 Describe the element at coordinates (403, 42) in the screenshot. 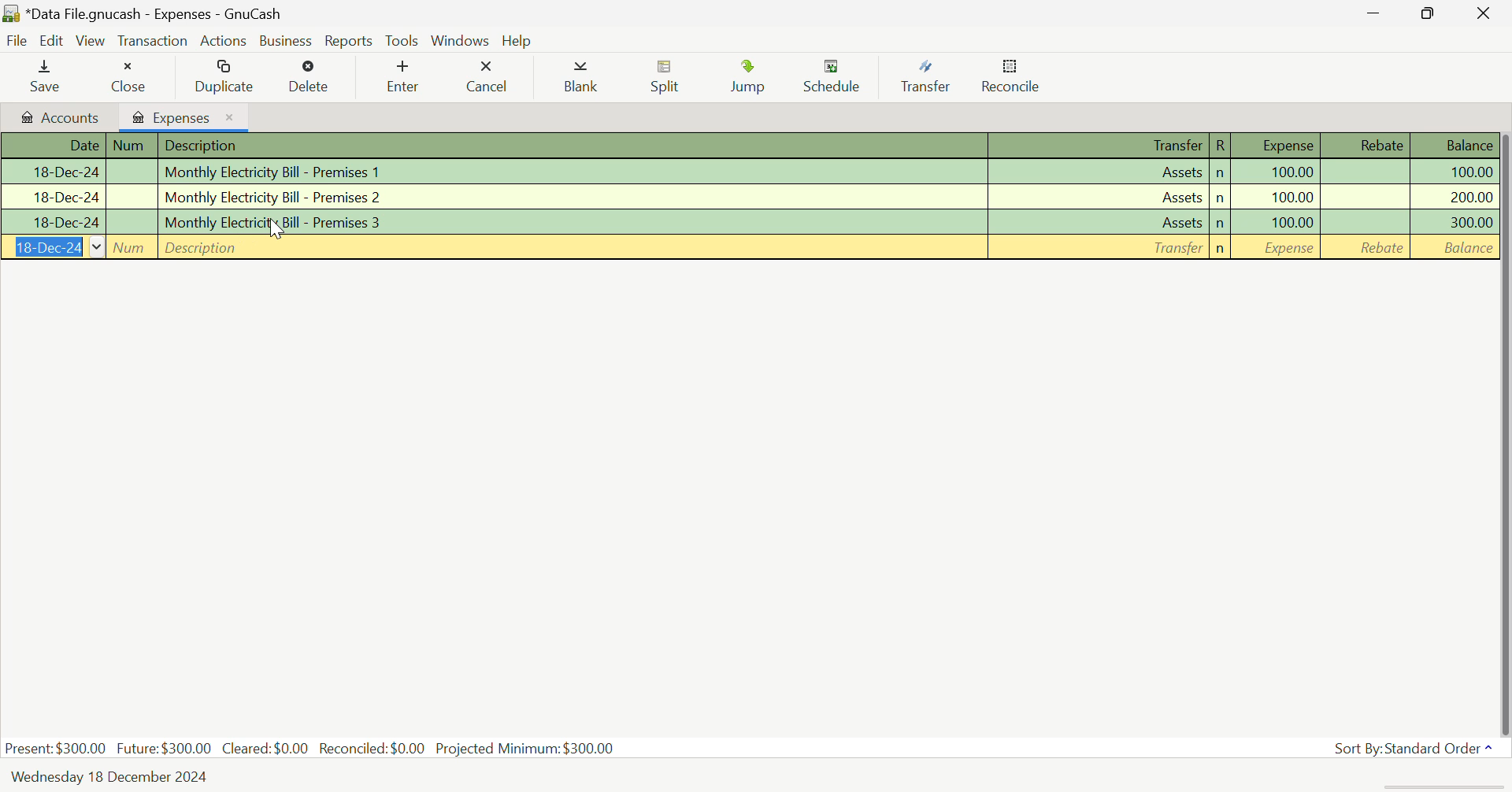

I see `Tools` at that location.